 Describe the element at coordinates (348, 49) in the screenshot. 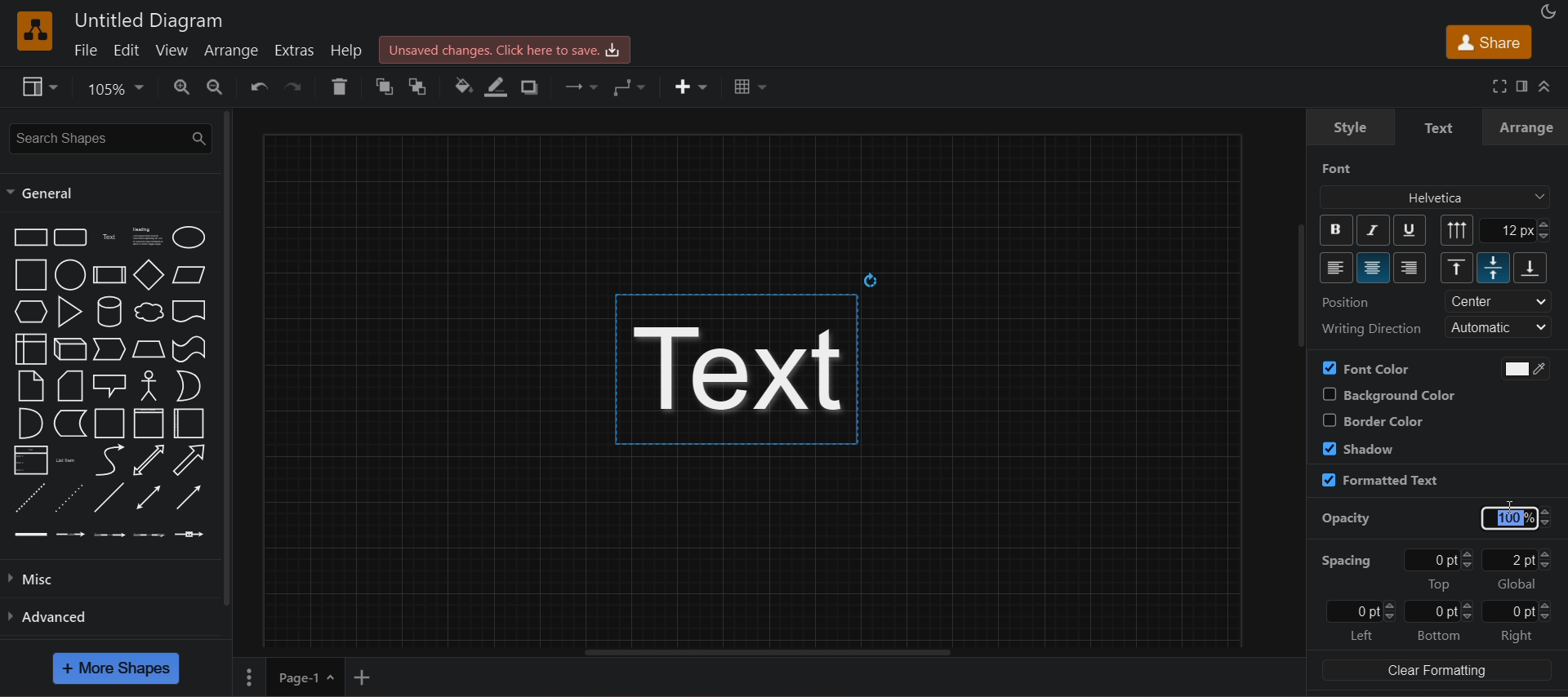

I see `help` at that location.